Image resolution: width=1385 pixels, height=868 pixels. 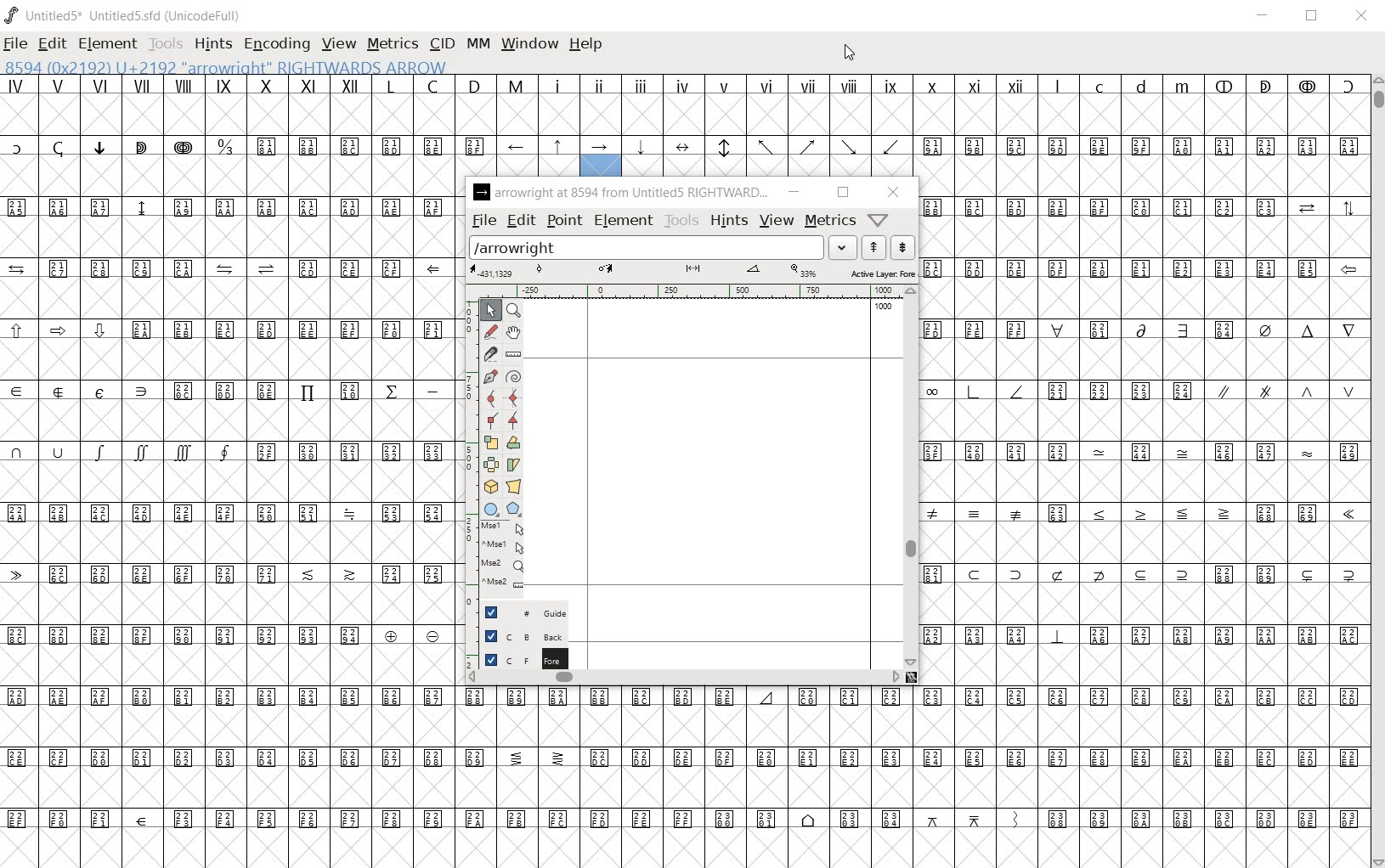 I want to click on add a curve point, so click(x=490, y=398).